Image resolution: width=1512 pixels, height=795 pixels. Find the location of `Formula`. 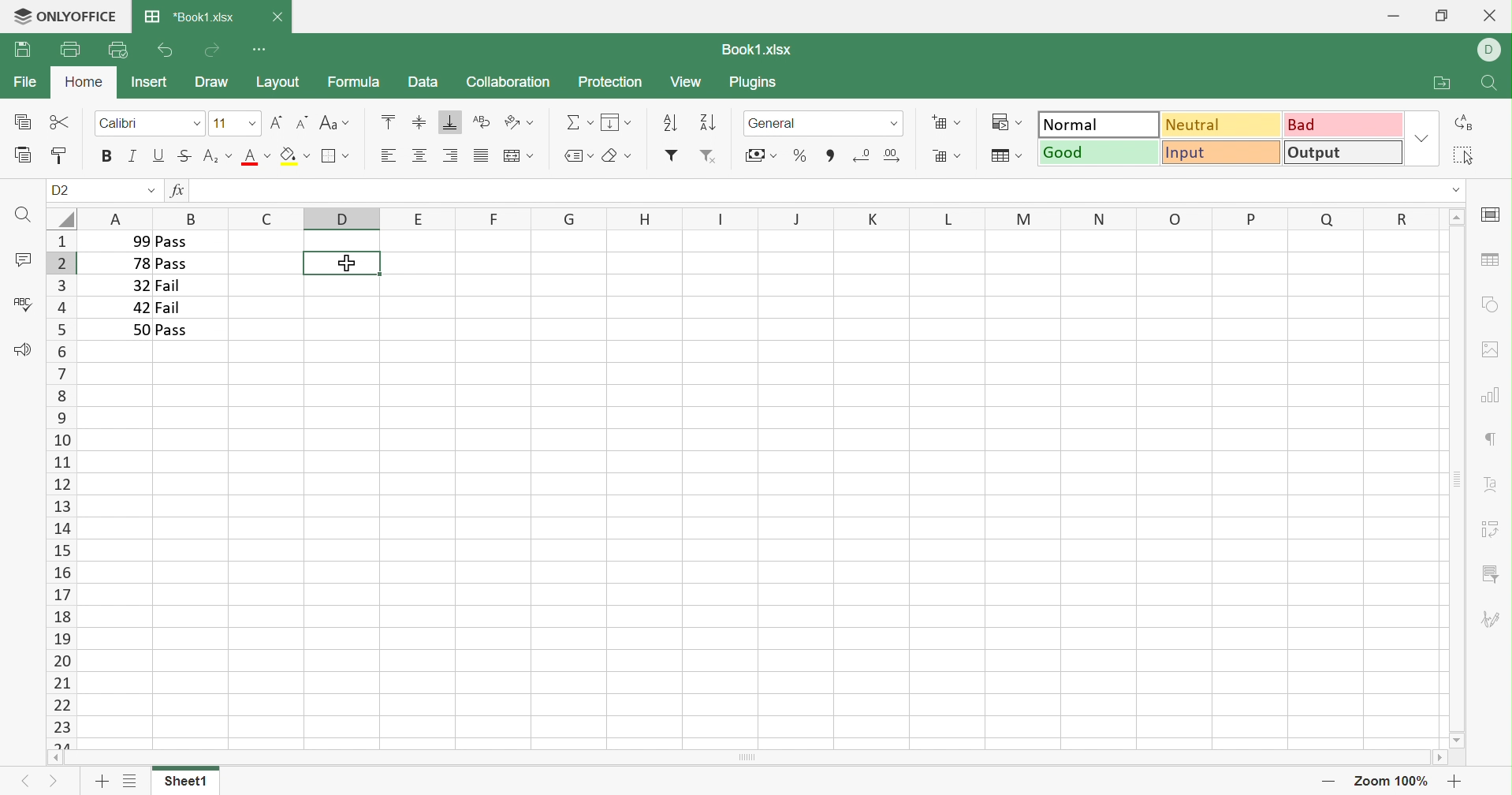

Formula is located at coordinates (352, 81).